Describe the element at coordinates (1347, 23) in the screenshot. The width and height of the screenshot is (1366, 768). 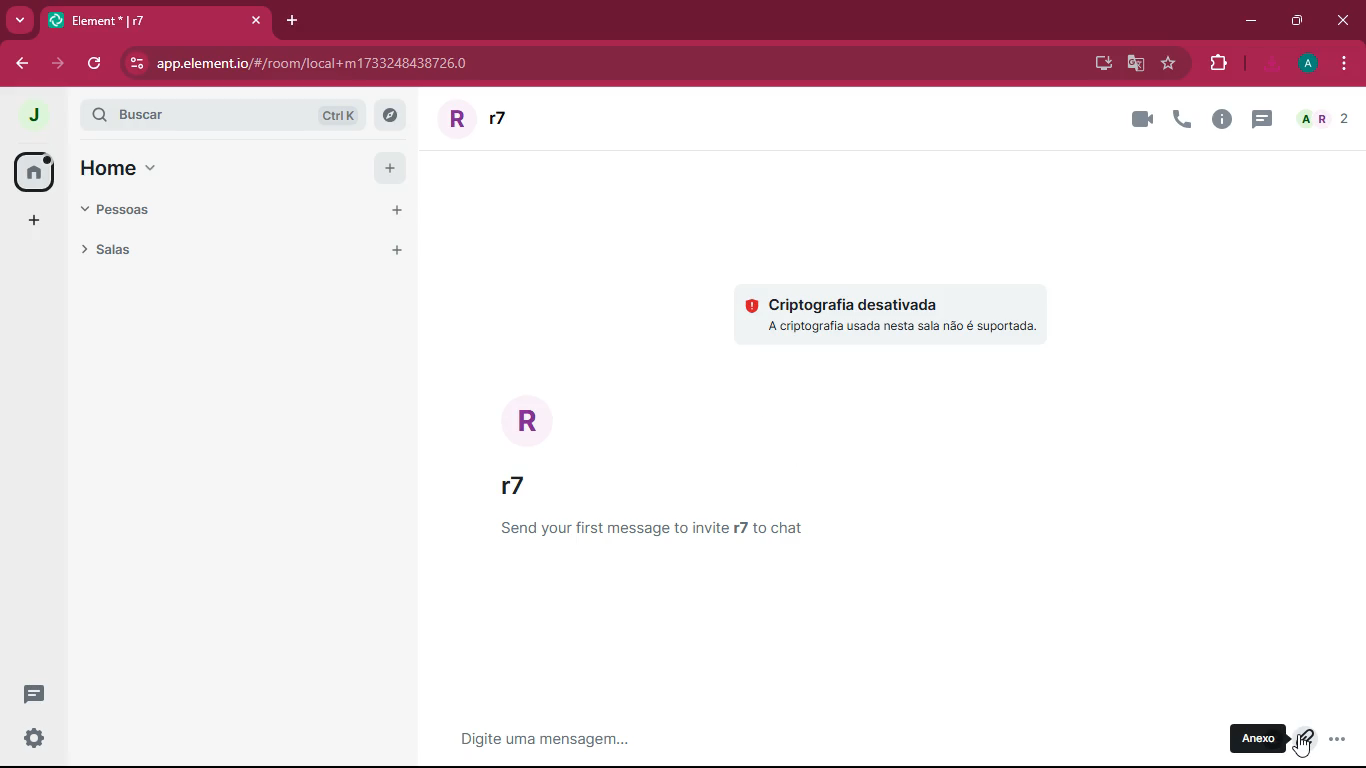
I see `close` at that location.